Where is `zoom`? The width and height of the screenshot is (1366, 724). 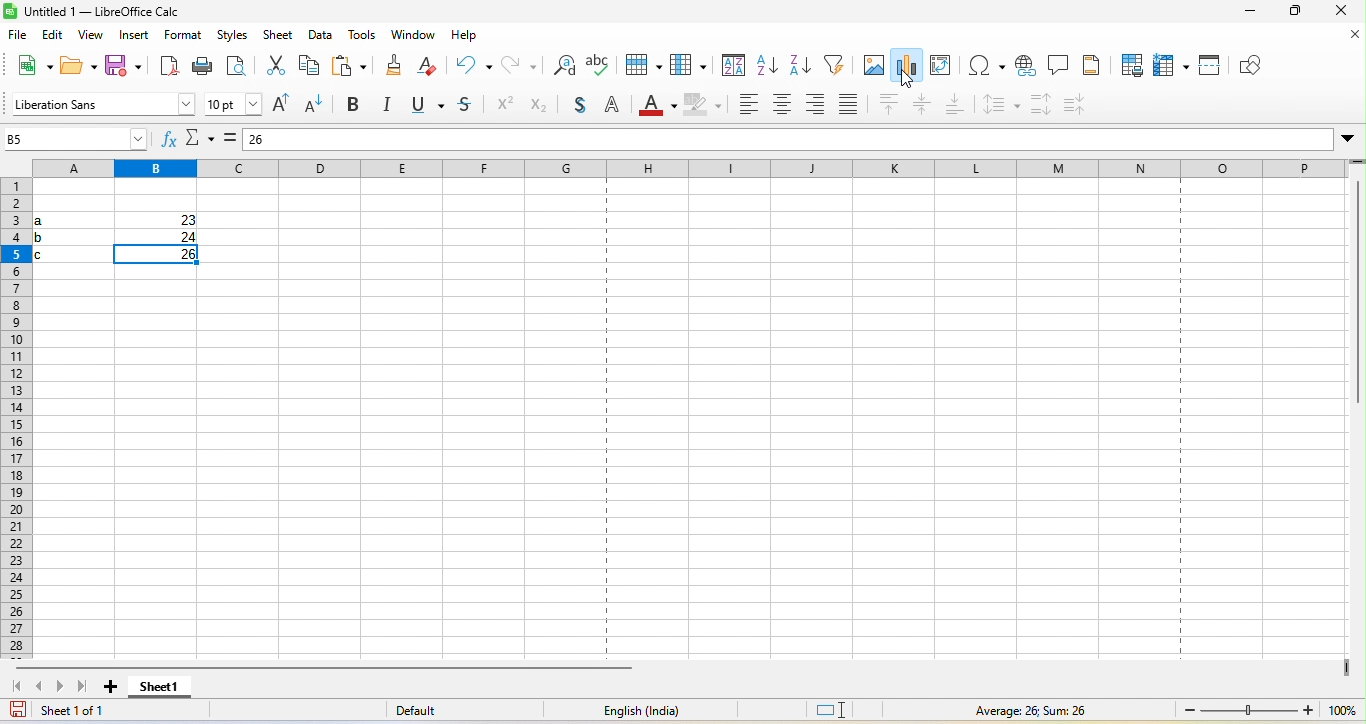 zoom is located at coordinates (1264, 710).